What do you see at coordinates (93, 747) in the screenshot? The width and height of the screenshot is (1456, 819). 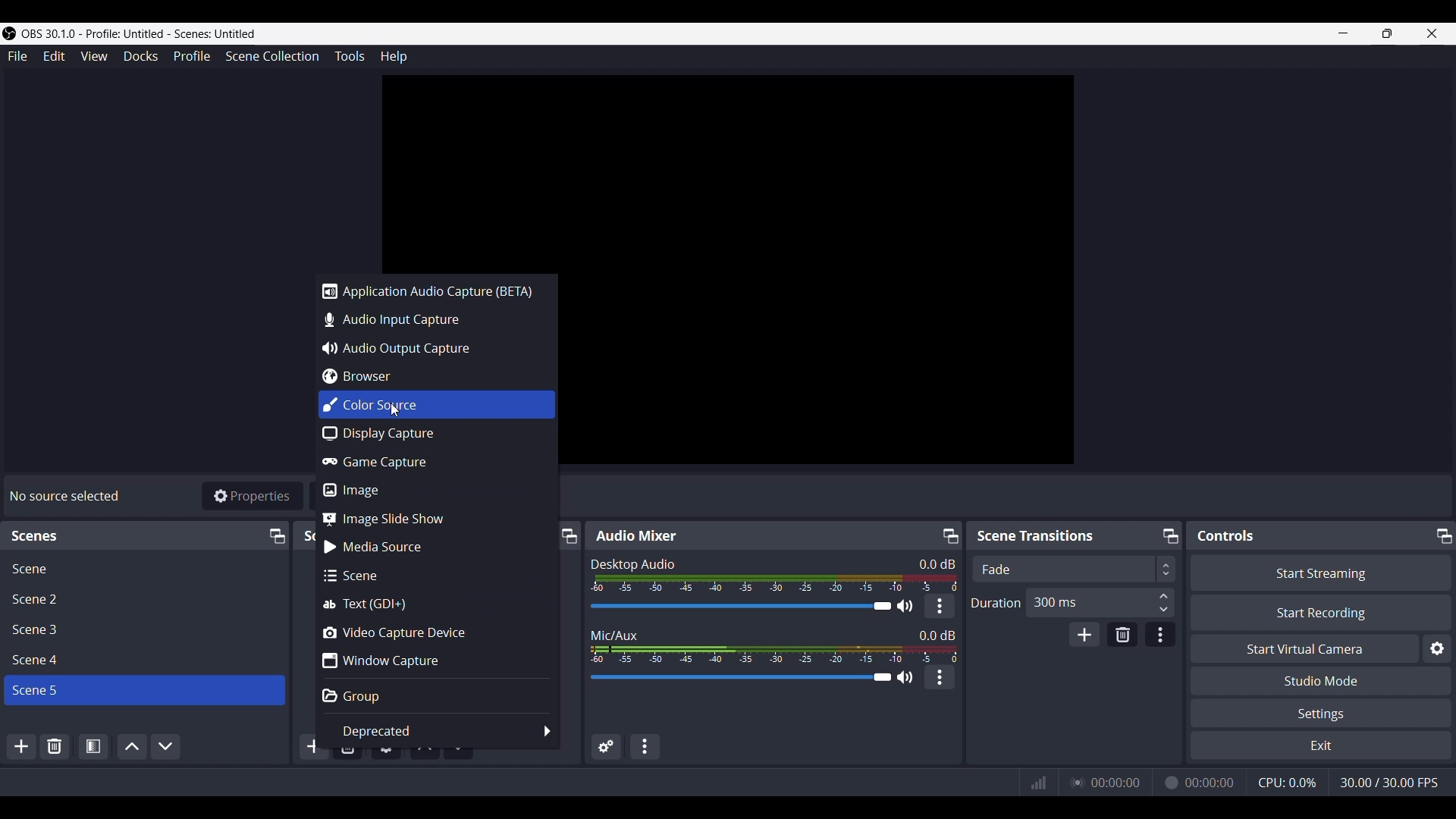 I see `Open Scene Properties` at bounding box center [93, 747].